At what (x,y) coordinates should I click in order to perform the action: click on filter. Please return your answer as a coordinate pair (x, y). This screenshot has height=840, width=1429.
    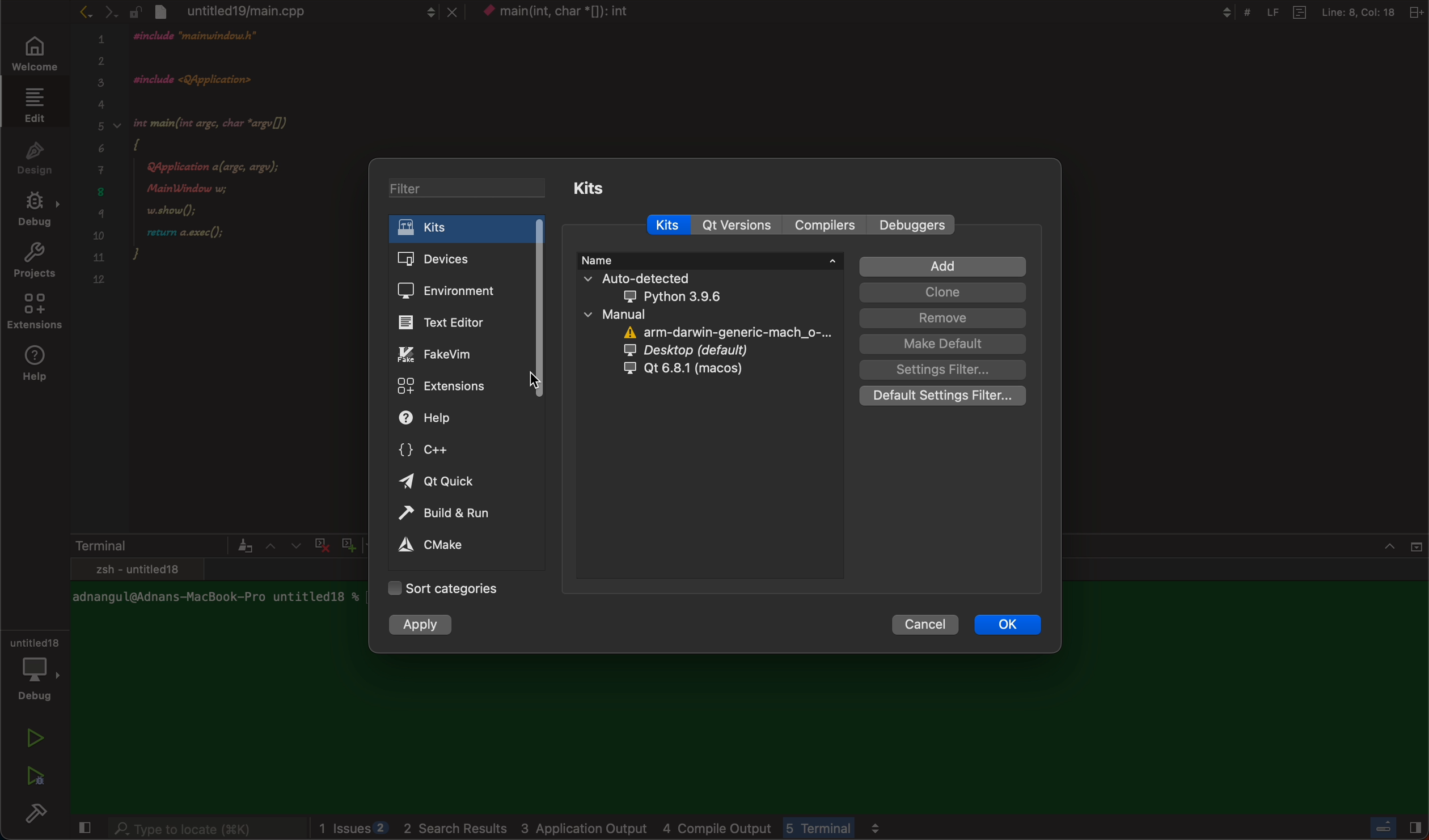
    Looking at the image, I should click on (469, 188).